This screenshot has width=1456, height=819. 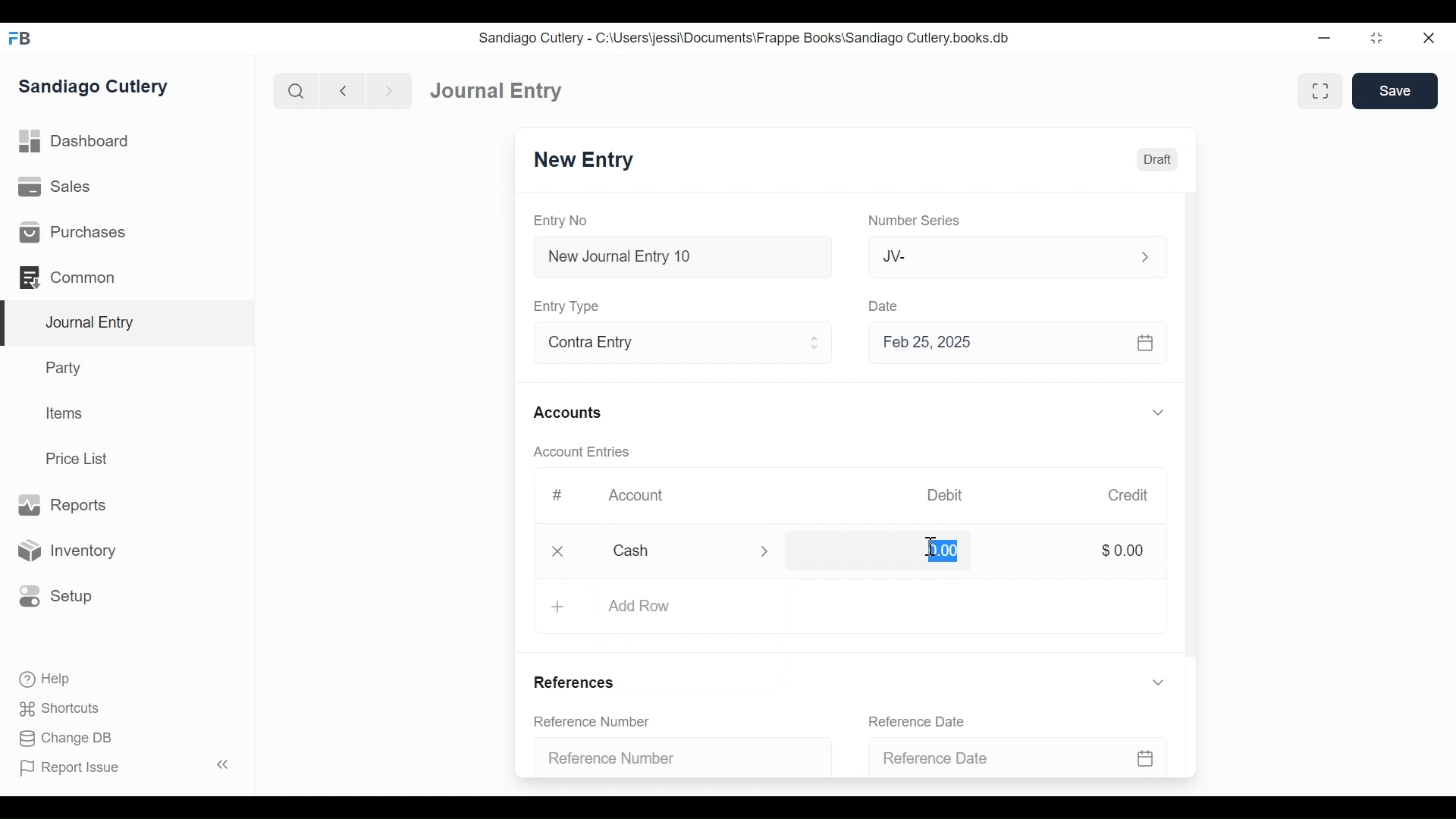 What do you see at coordinates (1158, 413) in the screenshot?
I see `Expand` at bounding box center [1158, 413].